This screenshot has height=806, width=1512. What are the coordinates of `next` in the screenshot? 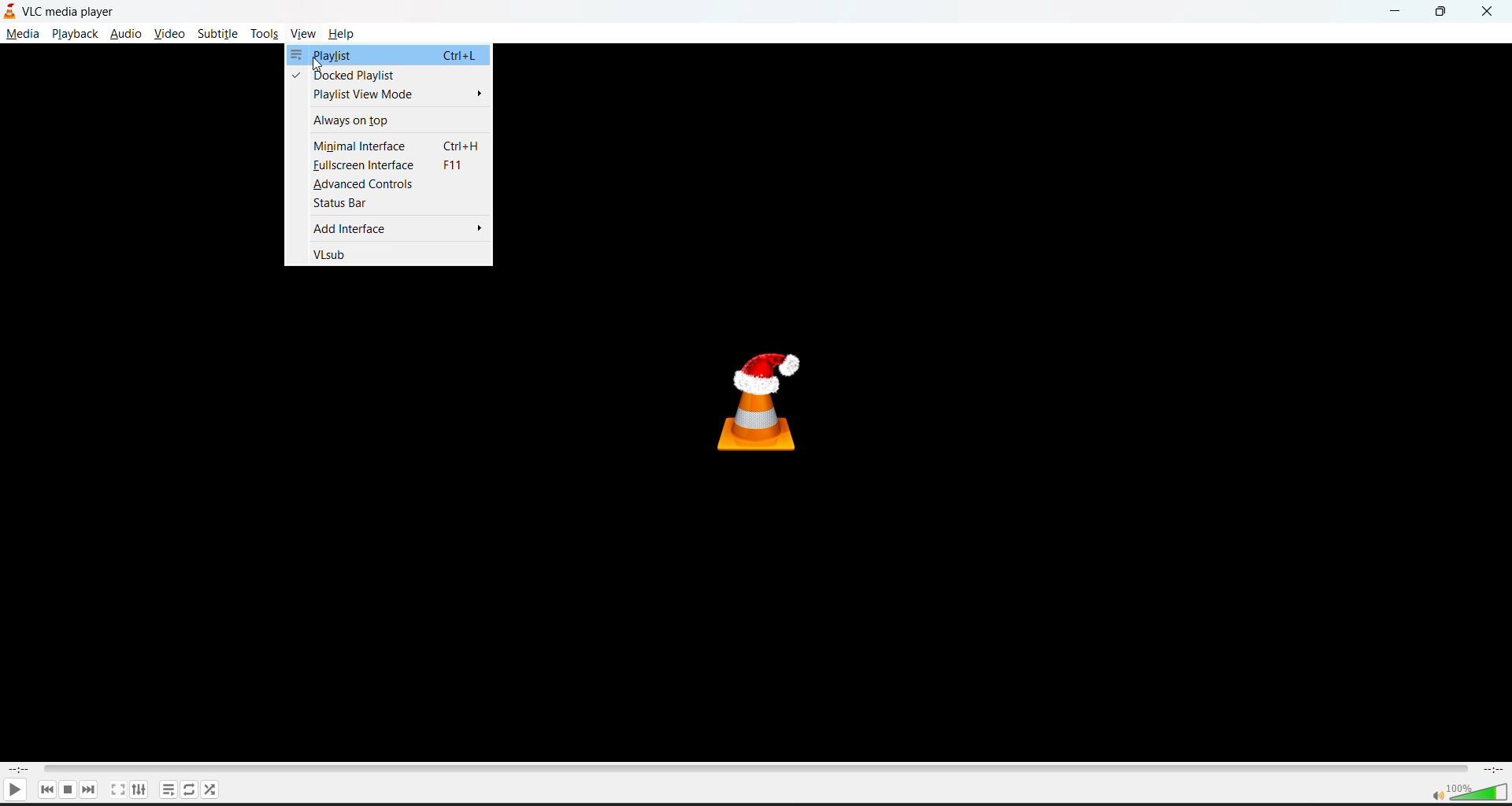 It's located at (89, 790).